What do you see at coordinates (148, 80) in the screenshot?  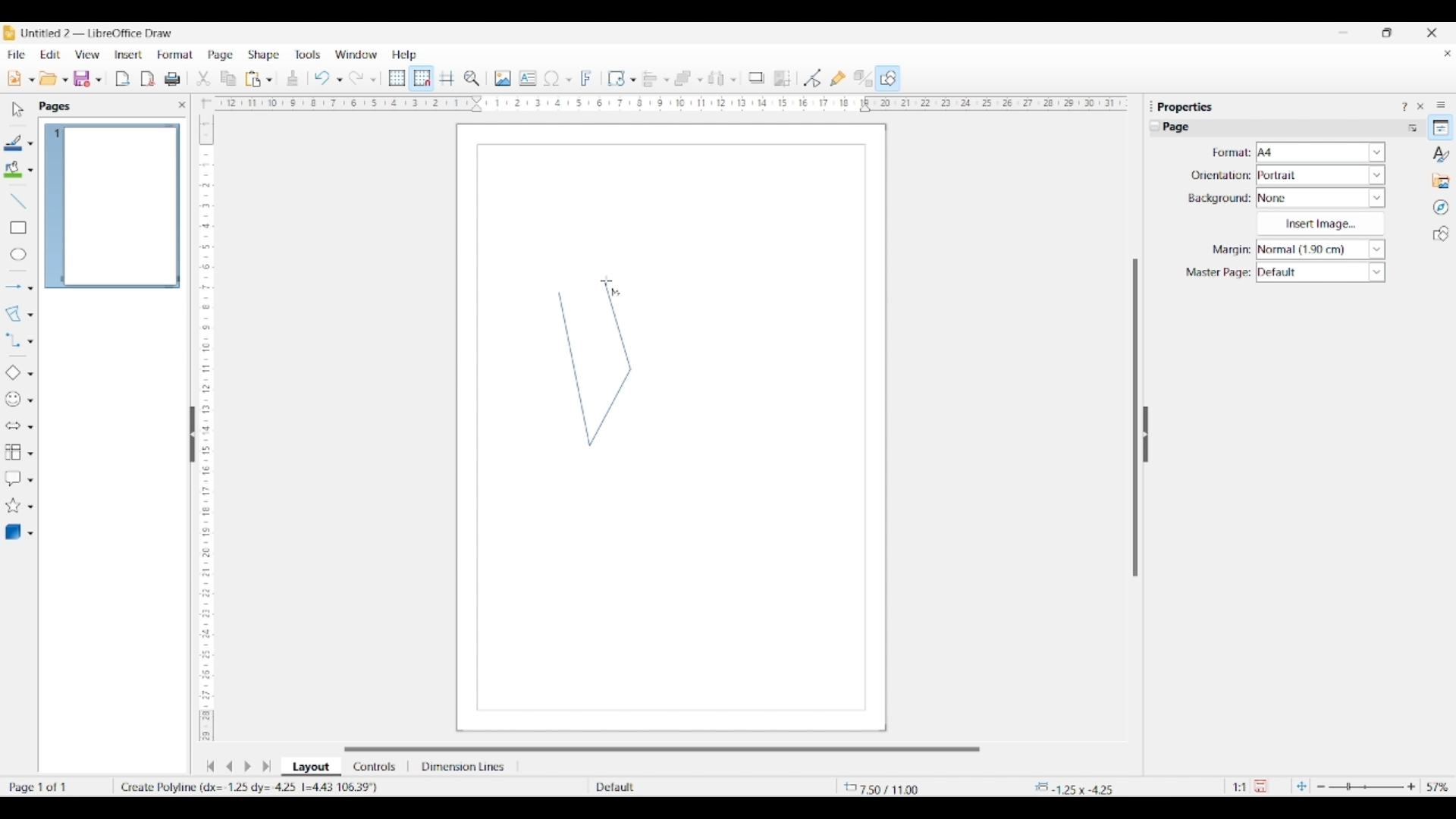 I see `Export directly as PDF` at bounding box center [148, 80].